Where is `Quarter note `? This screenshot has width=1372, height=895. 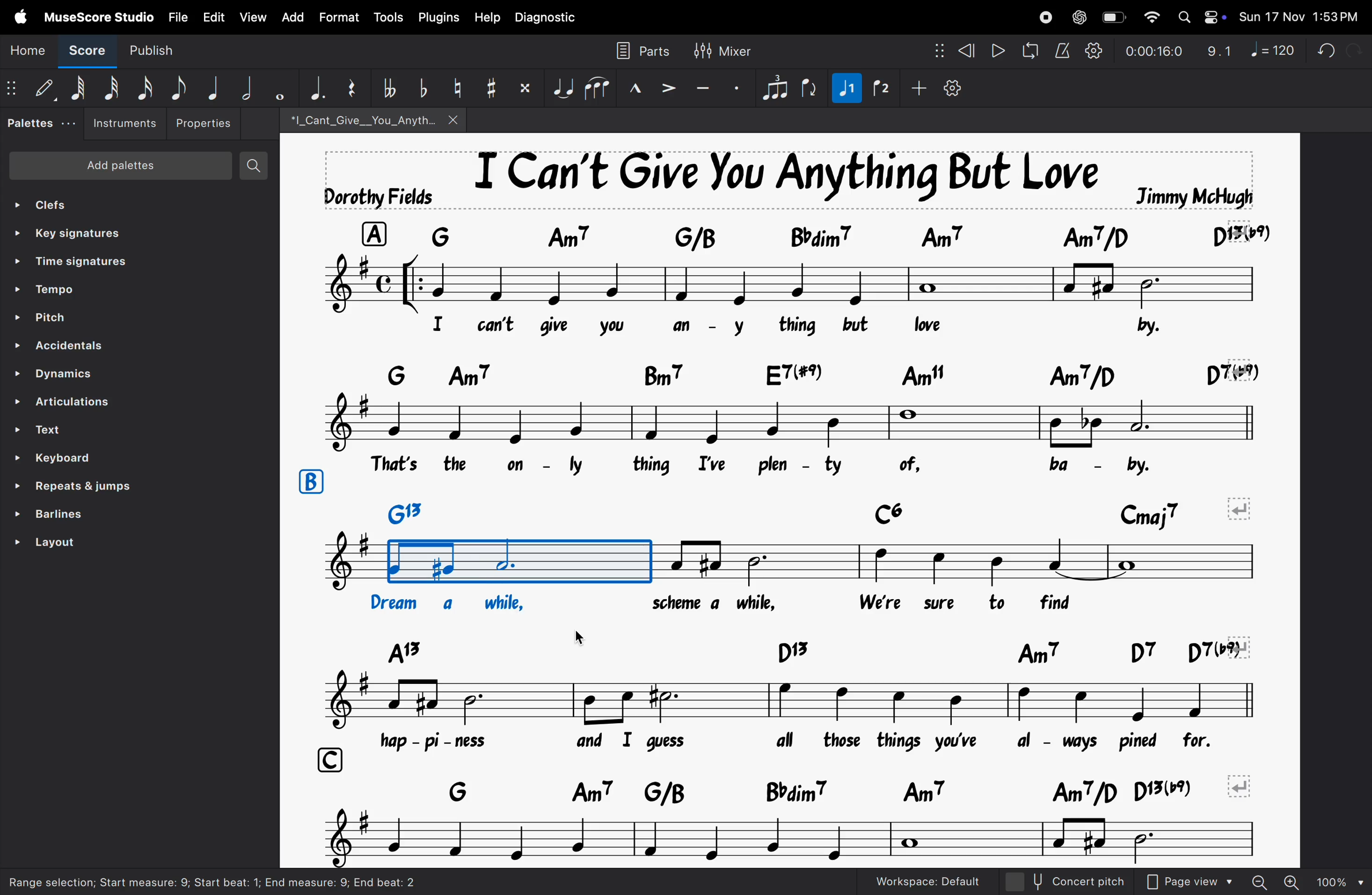
Quarter note  is located at coordinates (212, 87).